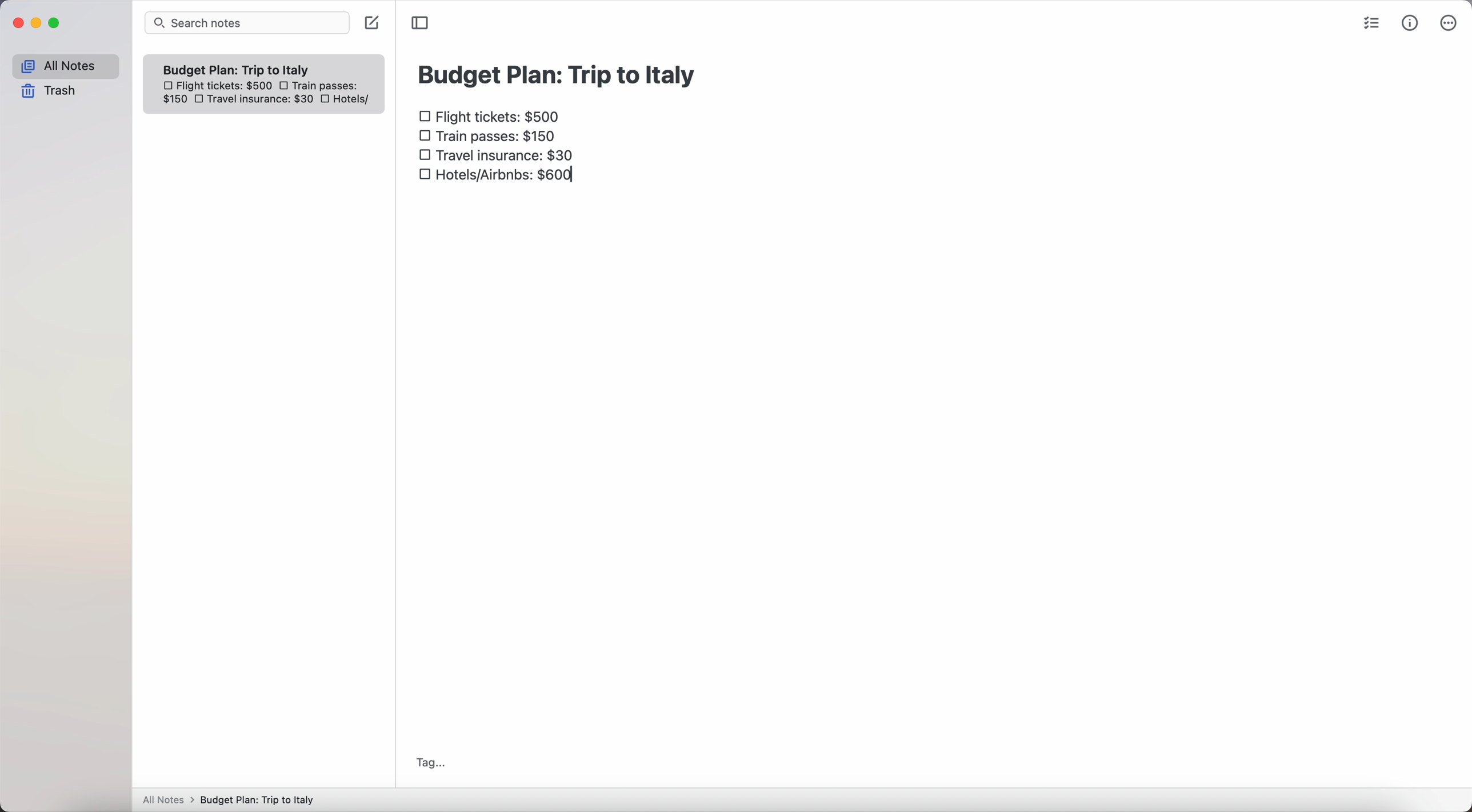 The image size is (1472, 812). Describe the element at coordinates (326, 84) in the screenshot. I see `train passes` at that location.